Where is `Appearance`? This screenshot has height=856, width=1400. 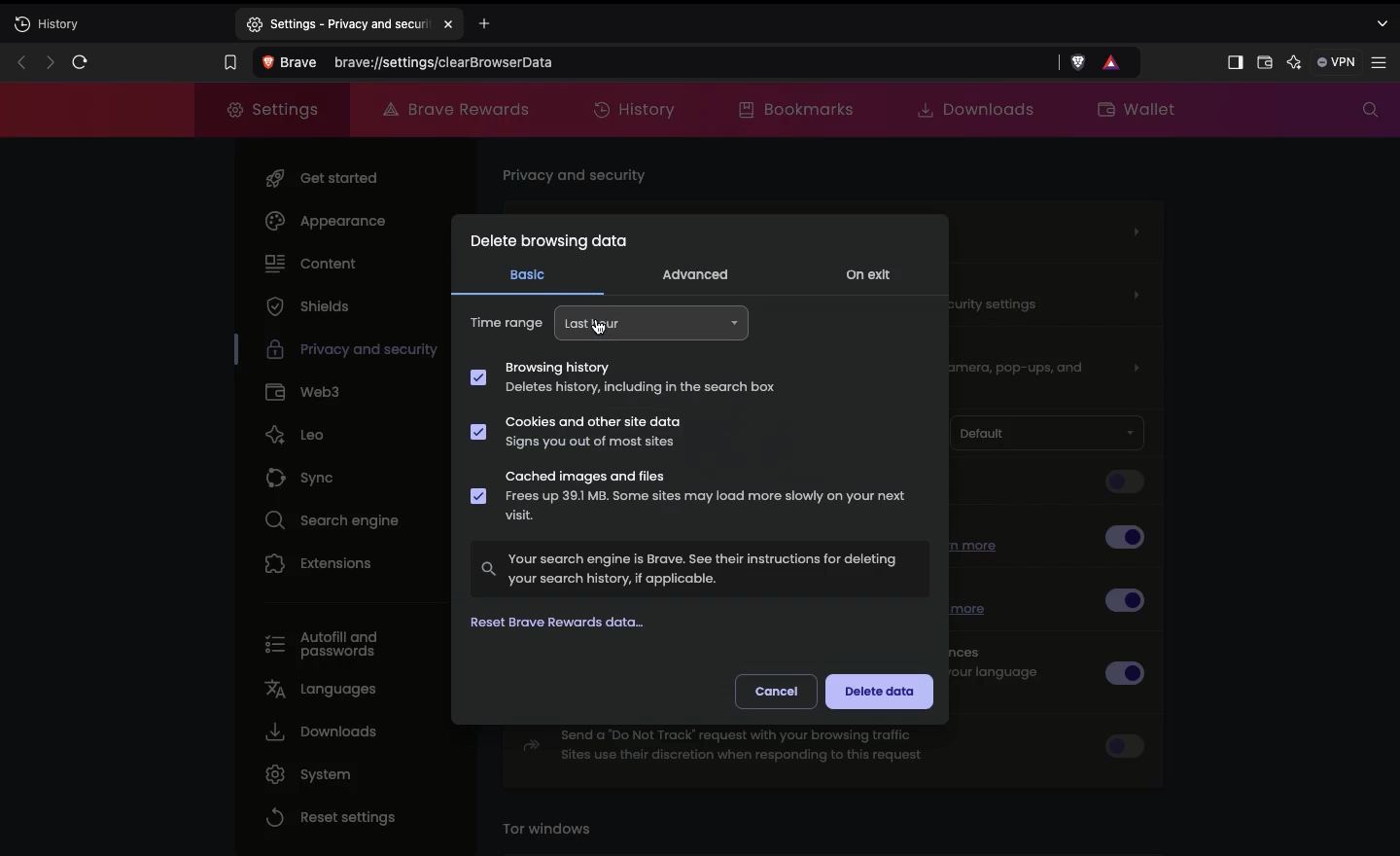
Appearance is located at coordinates (333, 224).